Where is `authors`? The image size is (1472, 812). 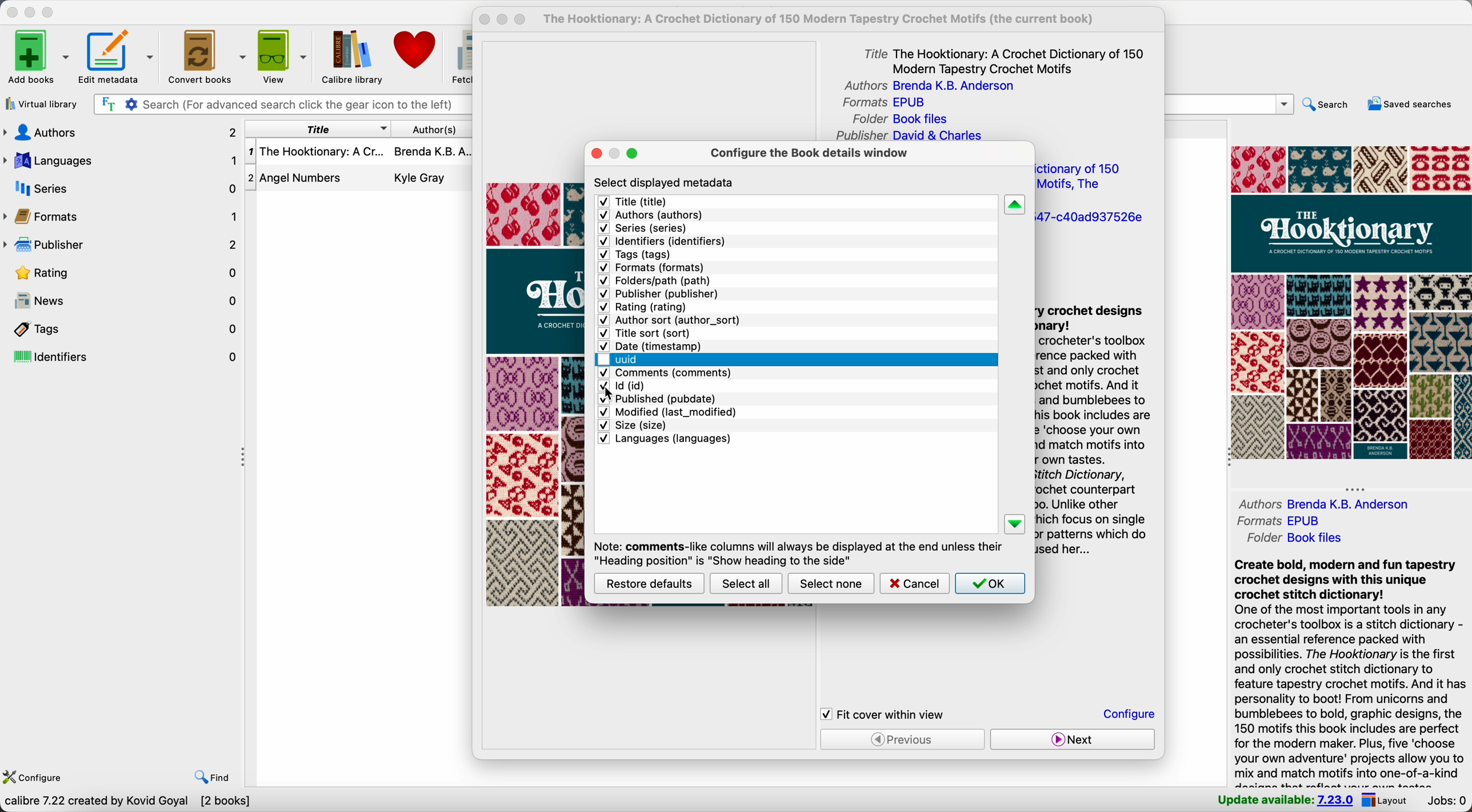
authors is located at coordinates (122, 132).